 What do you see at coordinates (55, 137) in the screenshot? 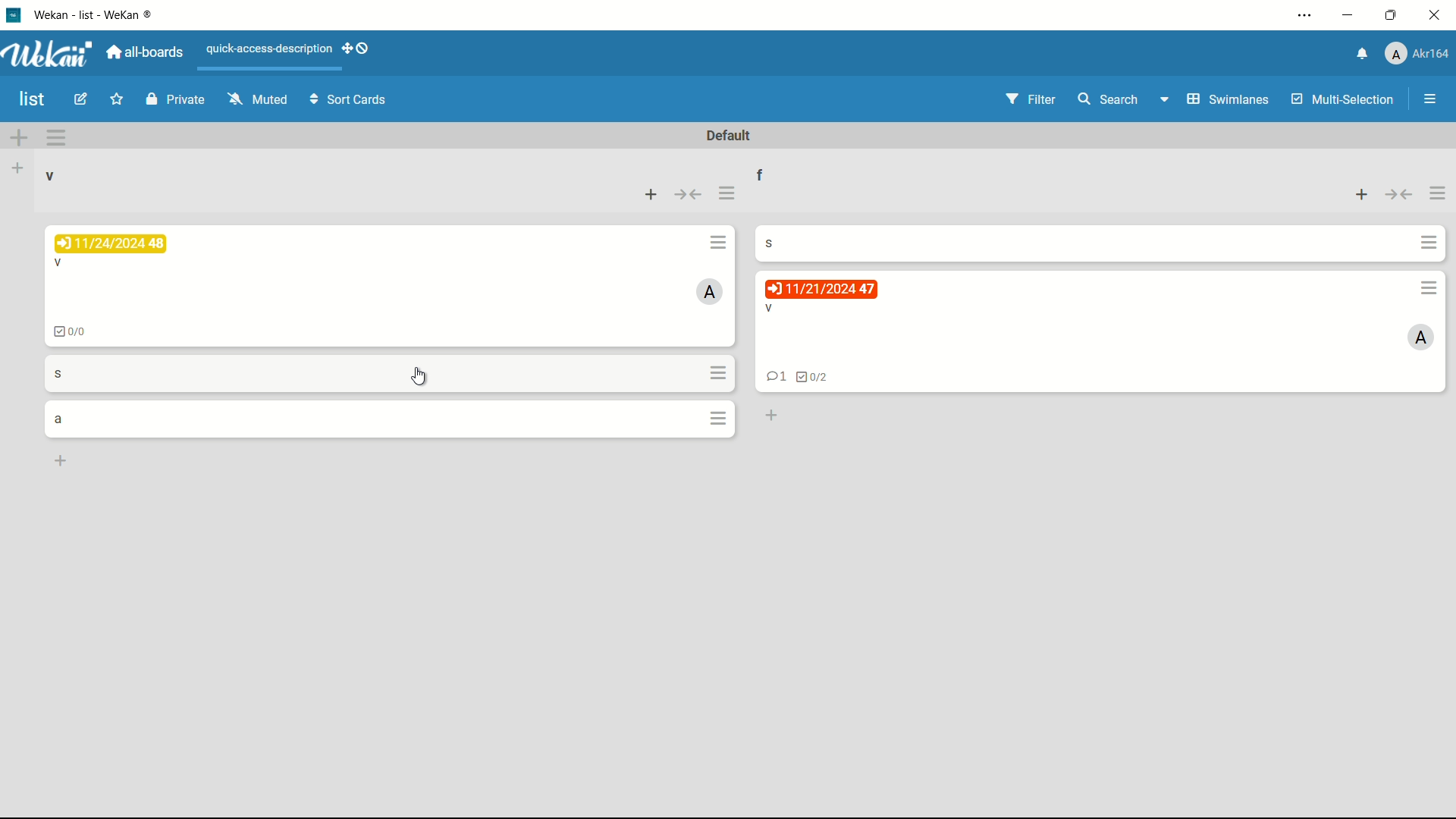
I see `swimlane actions` at bounding box center [55, 137].